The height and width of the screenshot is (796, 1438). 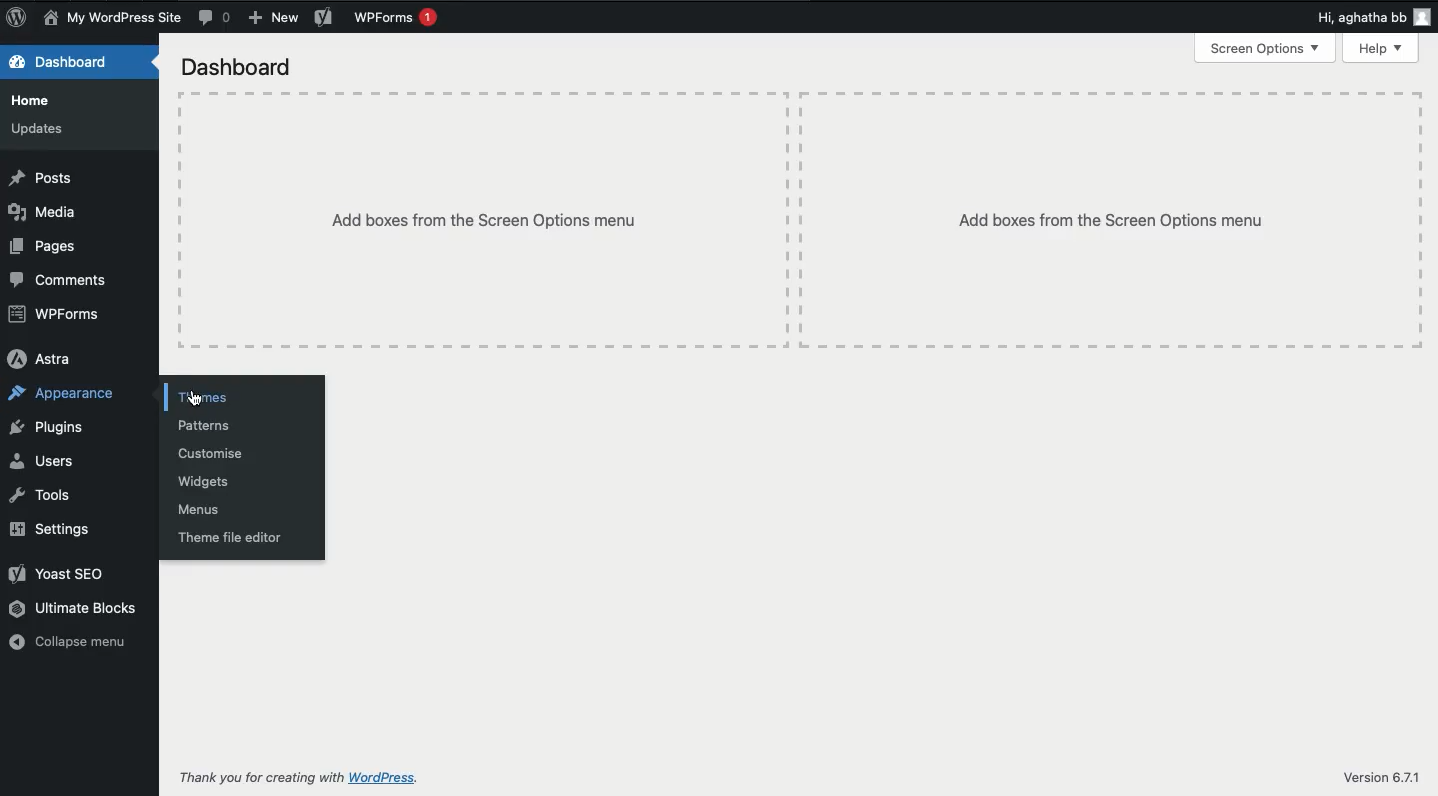 I want to click on Comment, so click(x=218, y=18).